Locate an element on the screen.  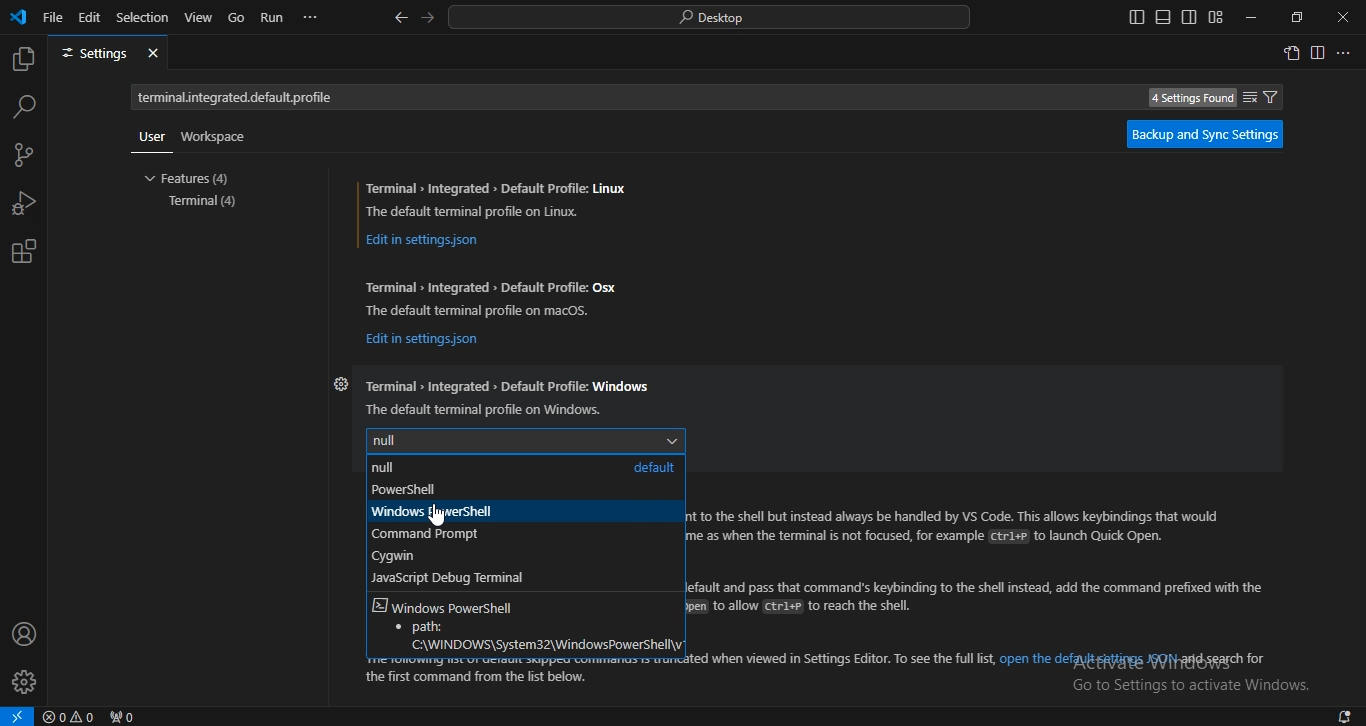
Edit in settingsjson is located at coordinates (423, 340).